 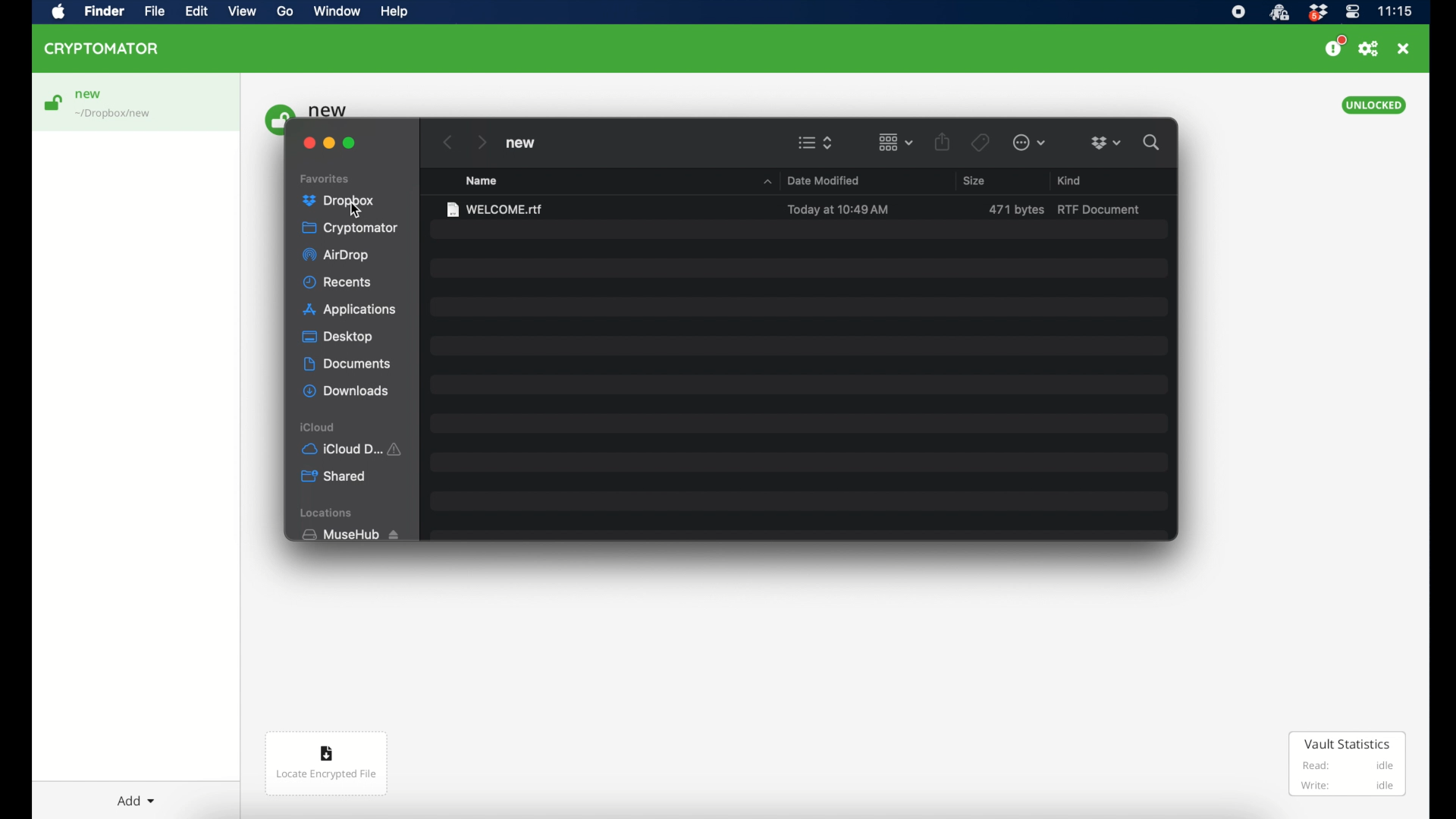 I want to click on tags, so click(x=981, y=143).